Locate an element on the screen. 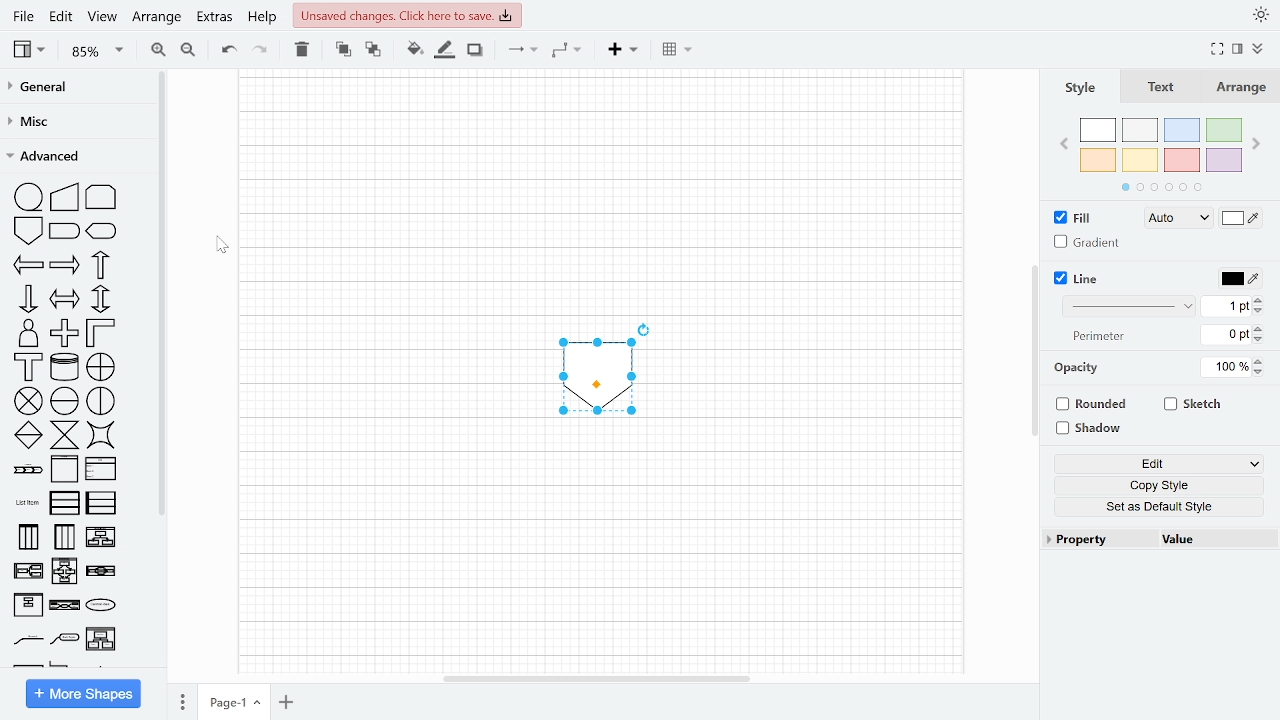 Image resolution: width=1280 pixels, height=720 pixels. Perimeter is located at coordinates (1099, 337).